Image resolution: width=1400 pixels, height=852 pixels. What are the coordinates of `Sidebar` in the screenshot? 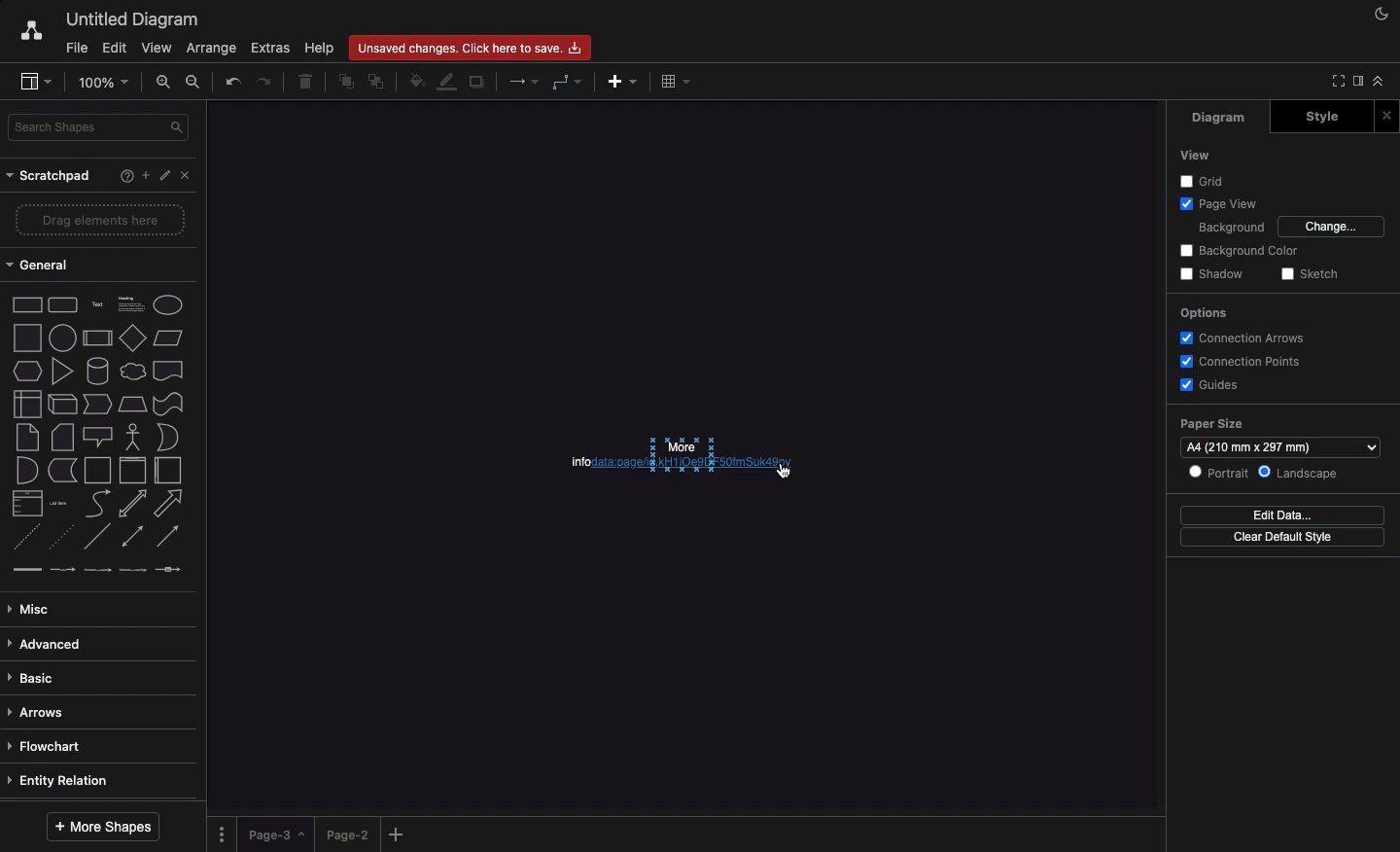 It's located at (1356, 82).